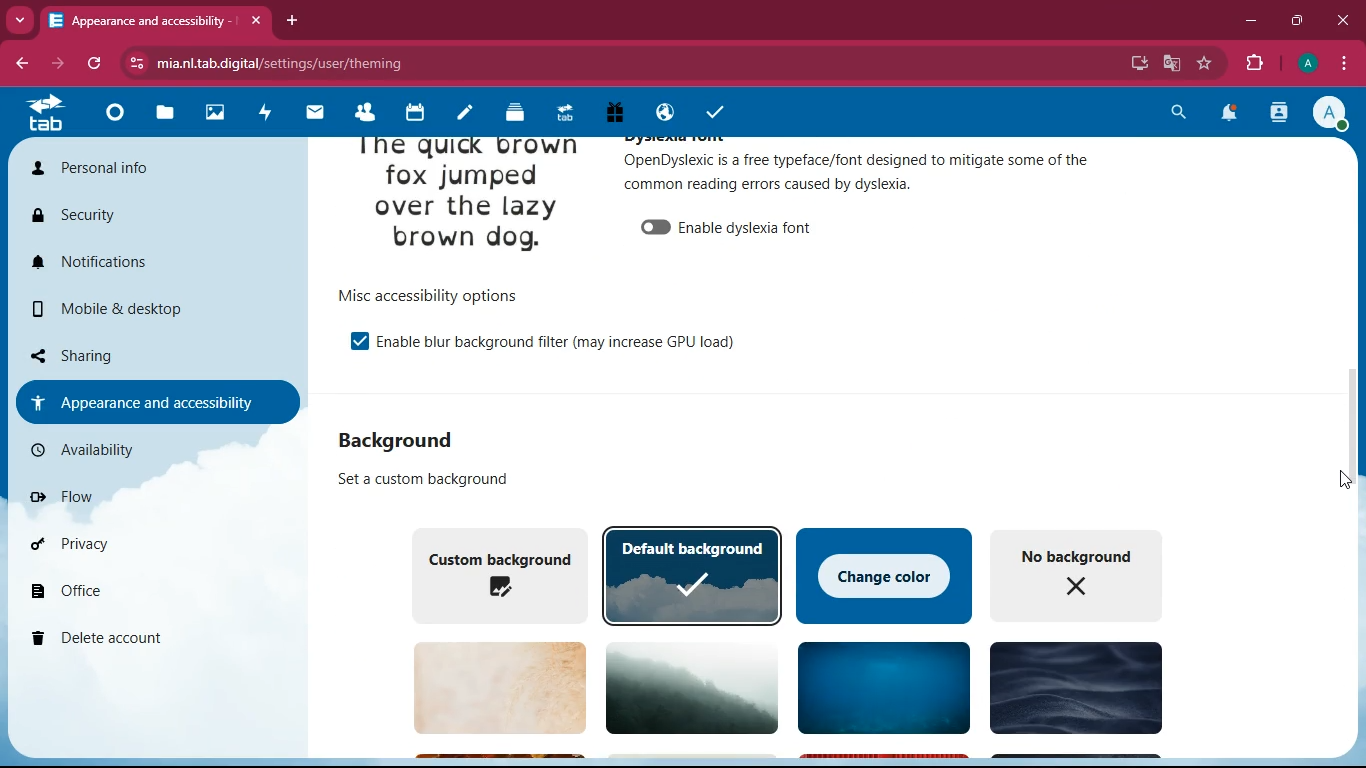 The image size is (1366, 768). What do you see at coordinates (25, 64) in the screenshot?
I see `back` at bounding box center [25, 64].